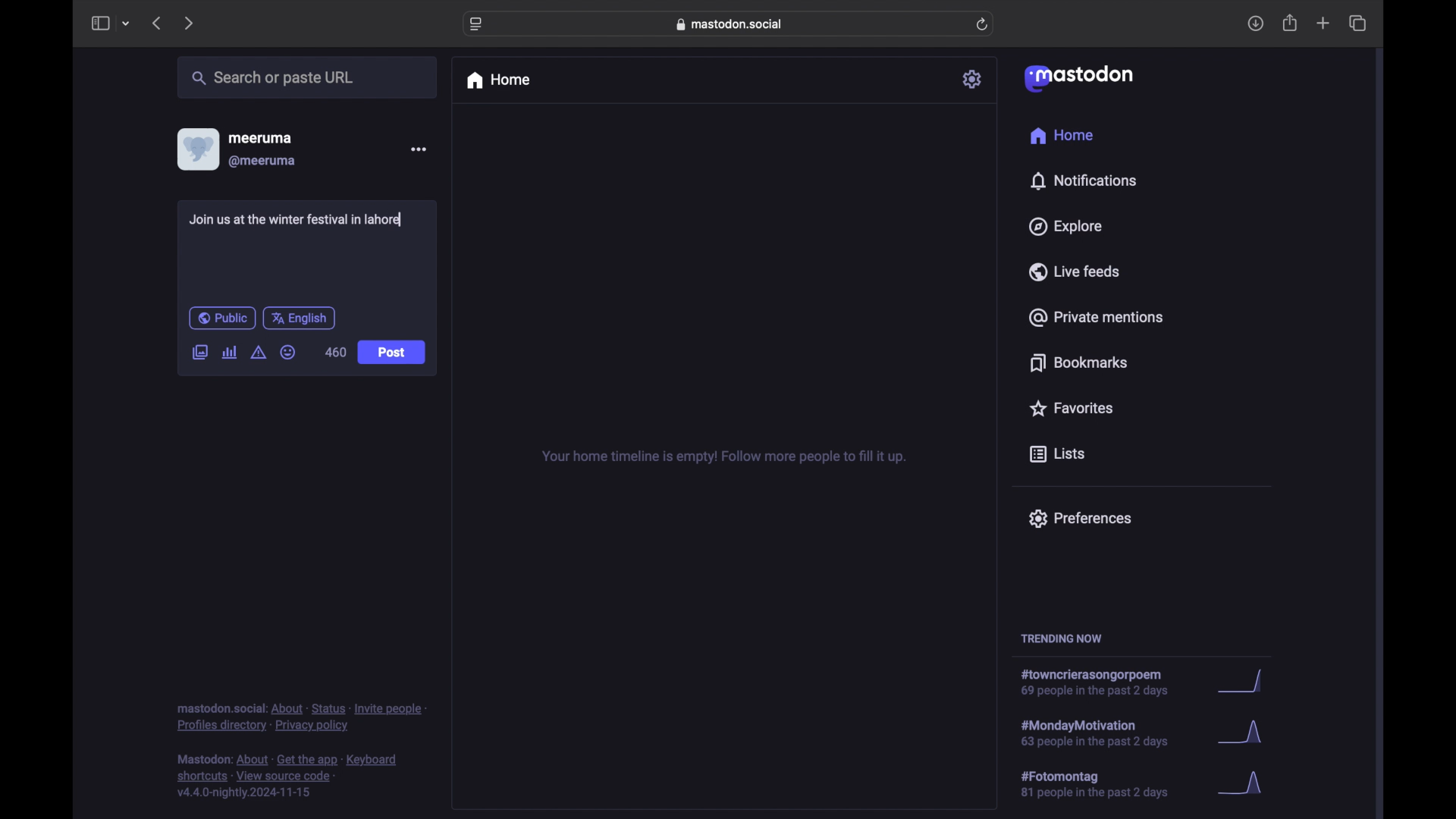 This screenshot has width=1456, height=819. I want to click on add image, so click(199, 353).